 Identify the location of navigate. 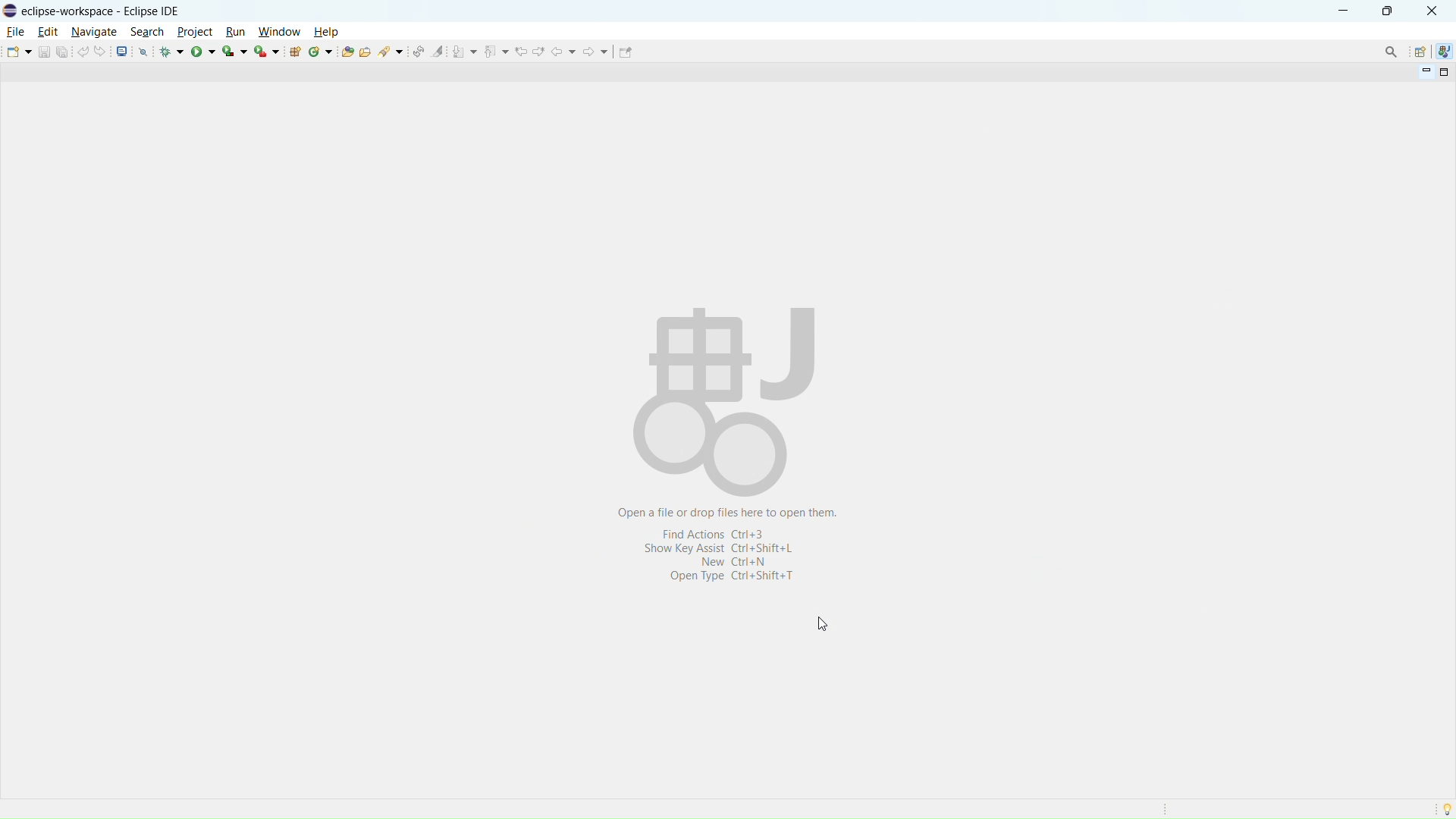
(93, 33).